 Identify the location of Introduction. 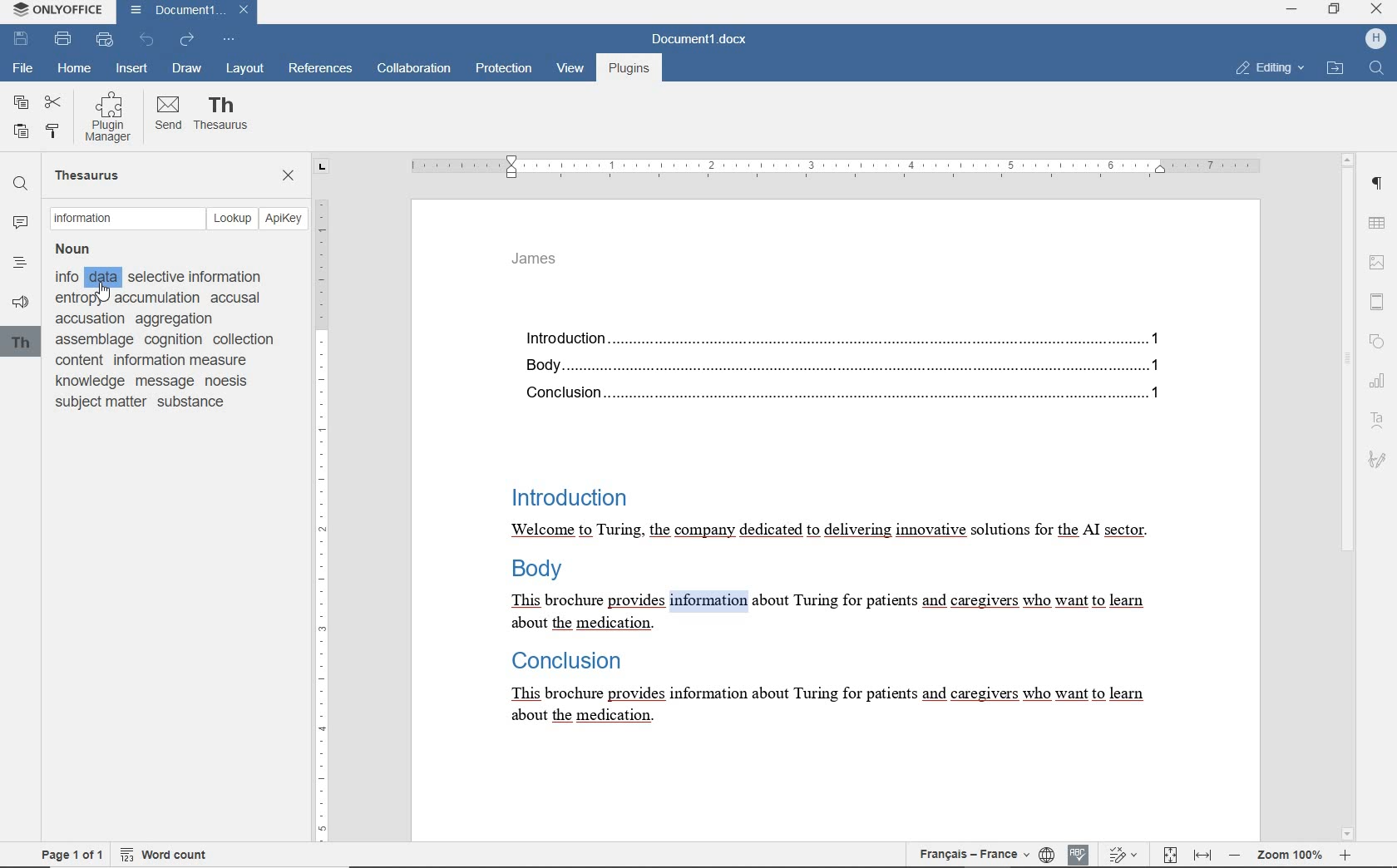
(563, 496).